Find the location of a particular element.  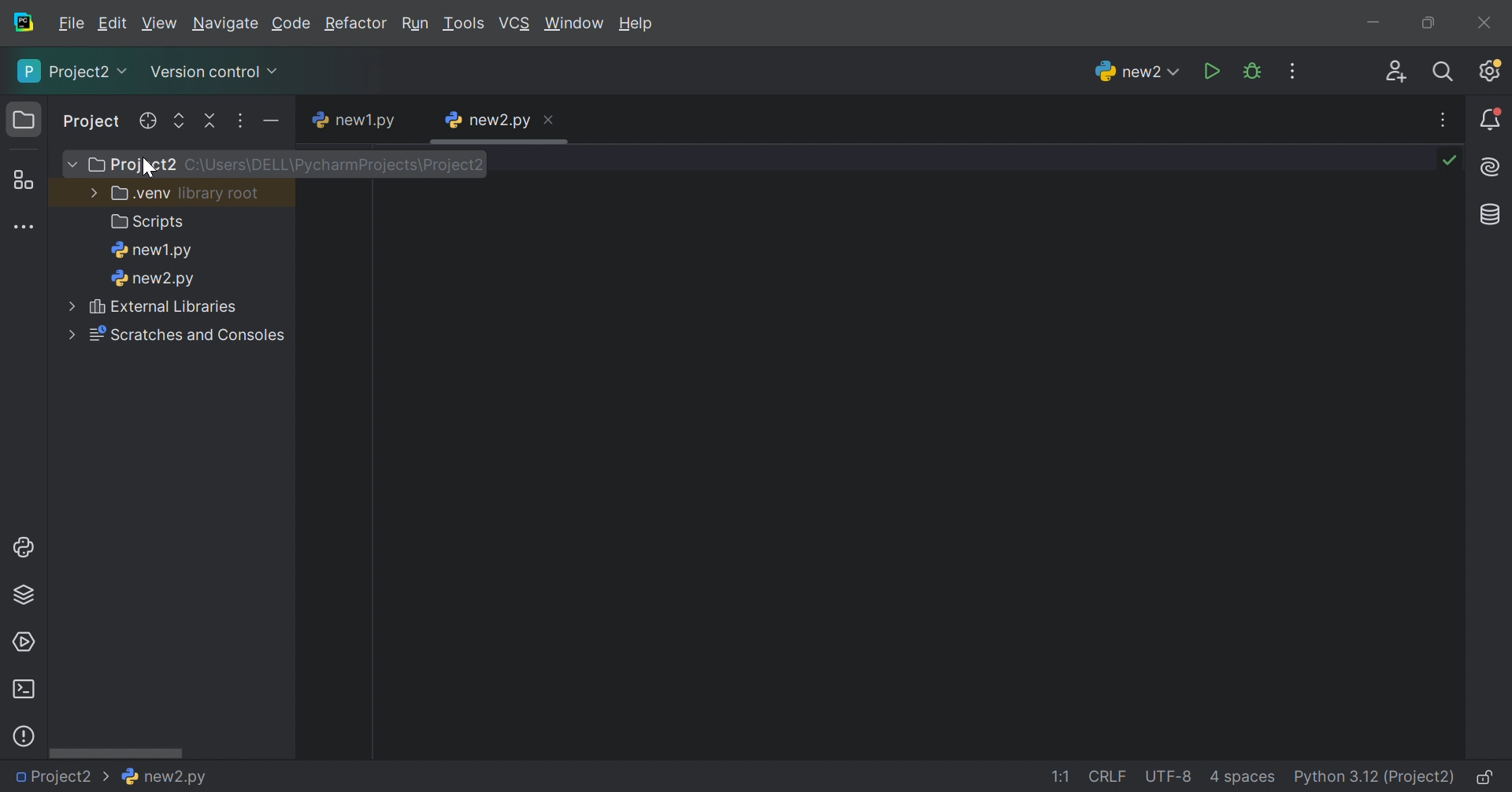

Tool is located at coordinates (464, 25).